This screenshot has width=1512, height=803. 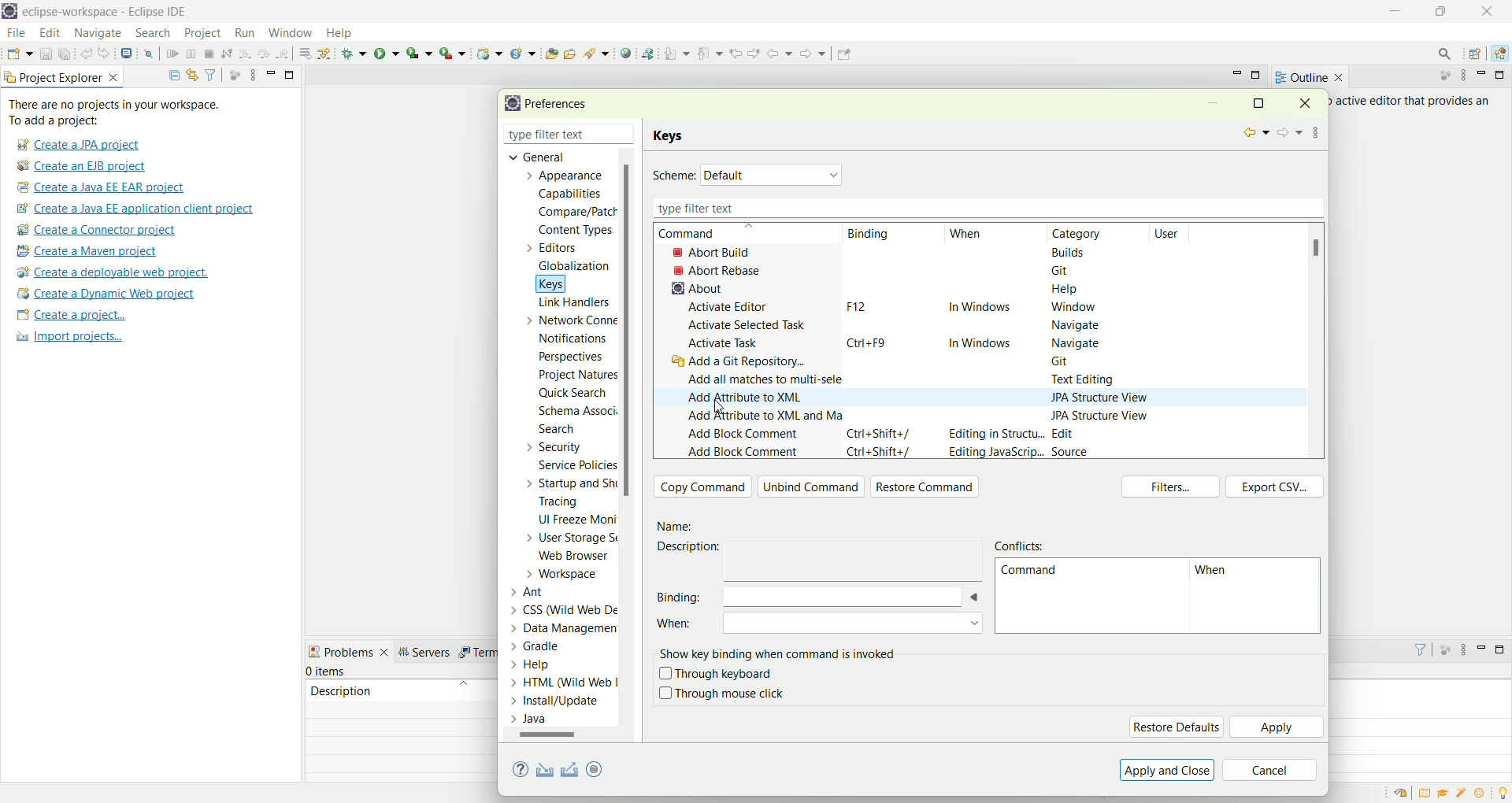 I want to click on scheme, so click(x=674, y=176).